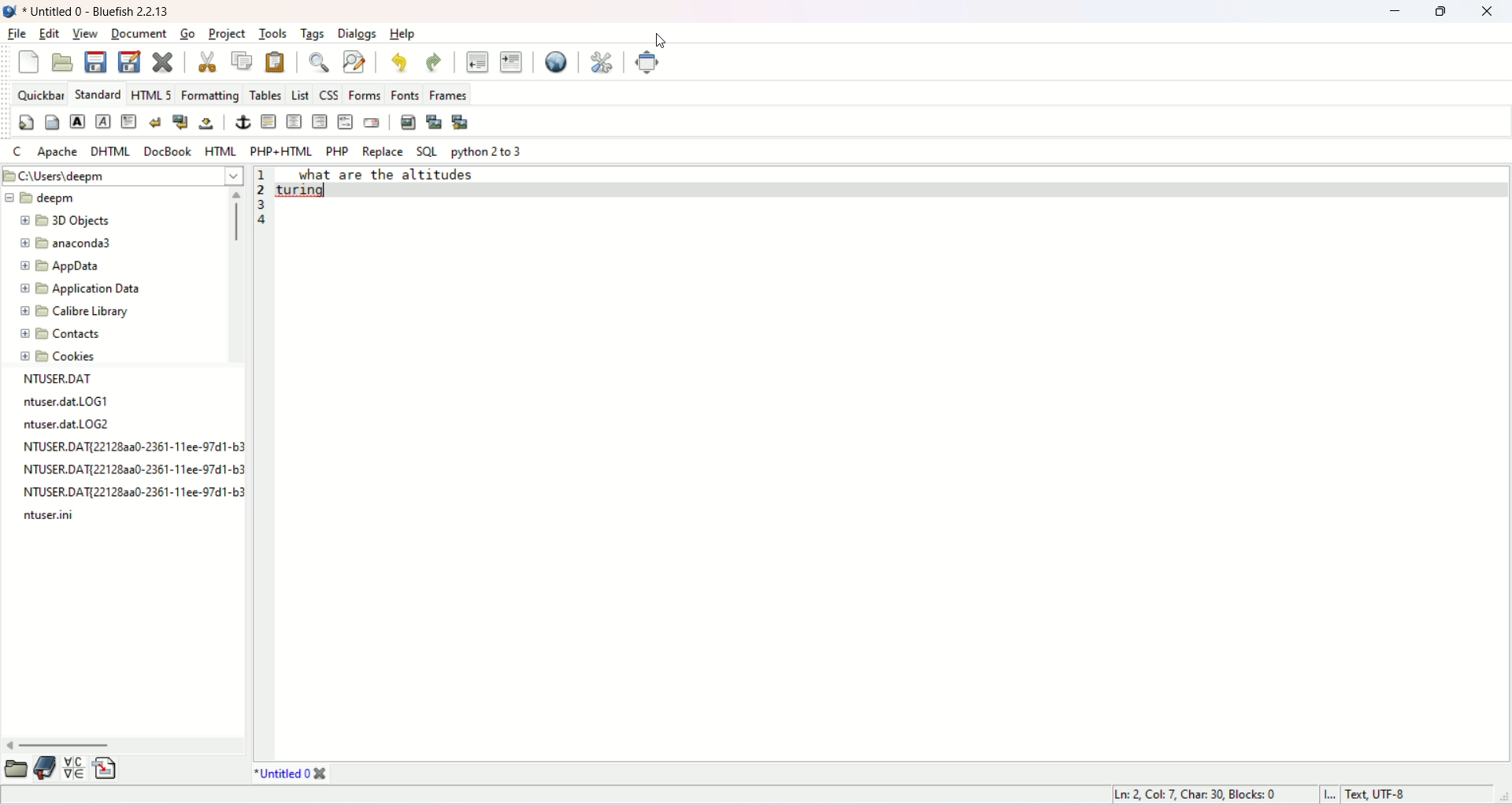 The width and height of the screenshot is (1512, 805). I want to click on email, so click(371, 124).